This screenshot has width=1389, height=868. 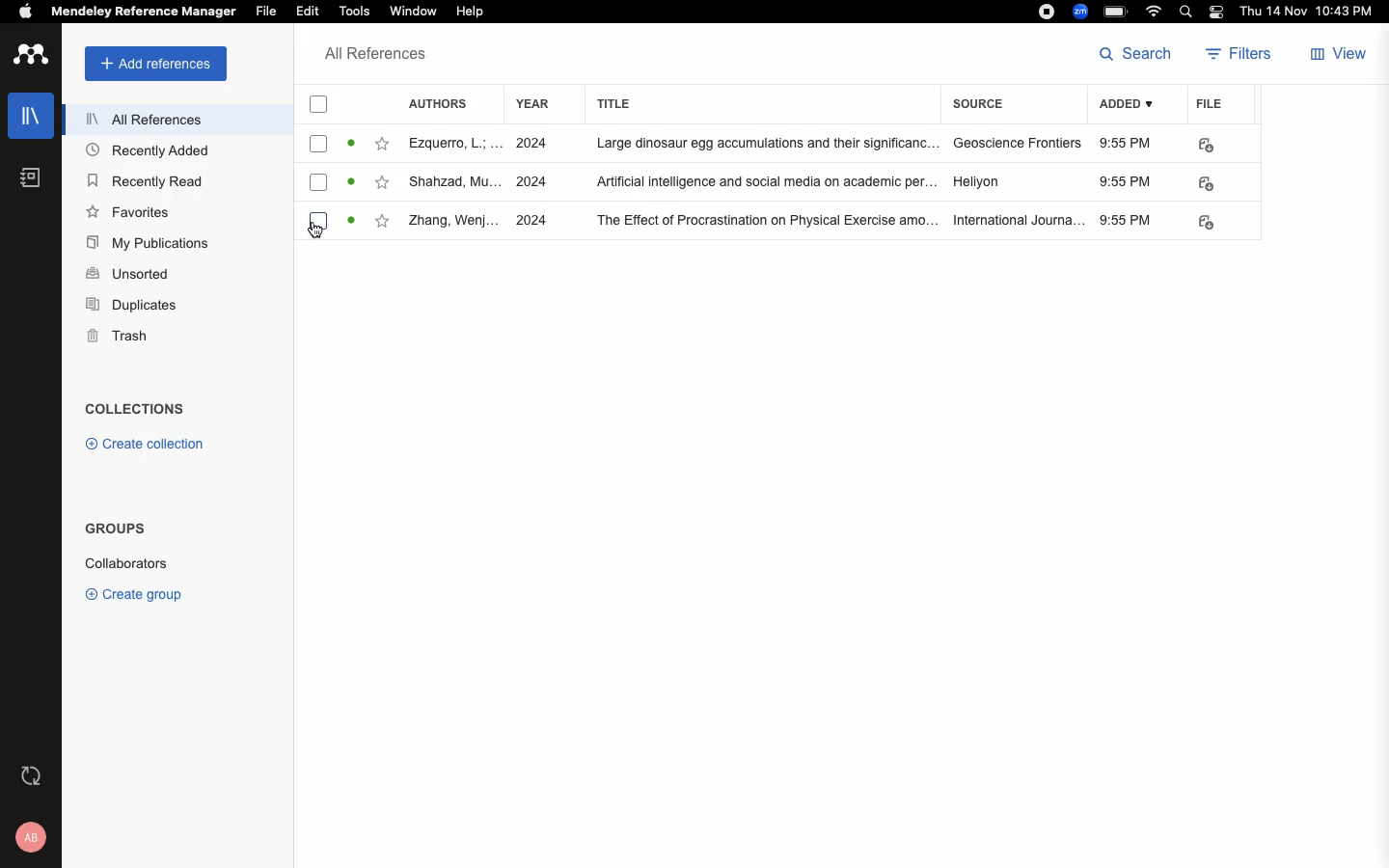 What do you see at coordinates (1204, 145) in the screenshot?
I see `PDF` at bounding box center [1204, 145].